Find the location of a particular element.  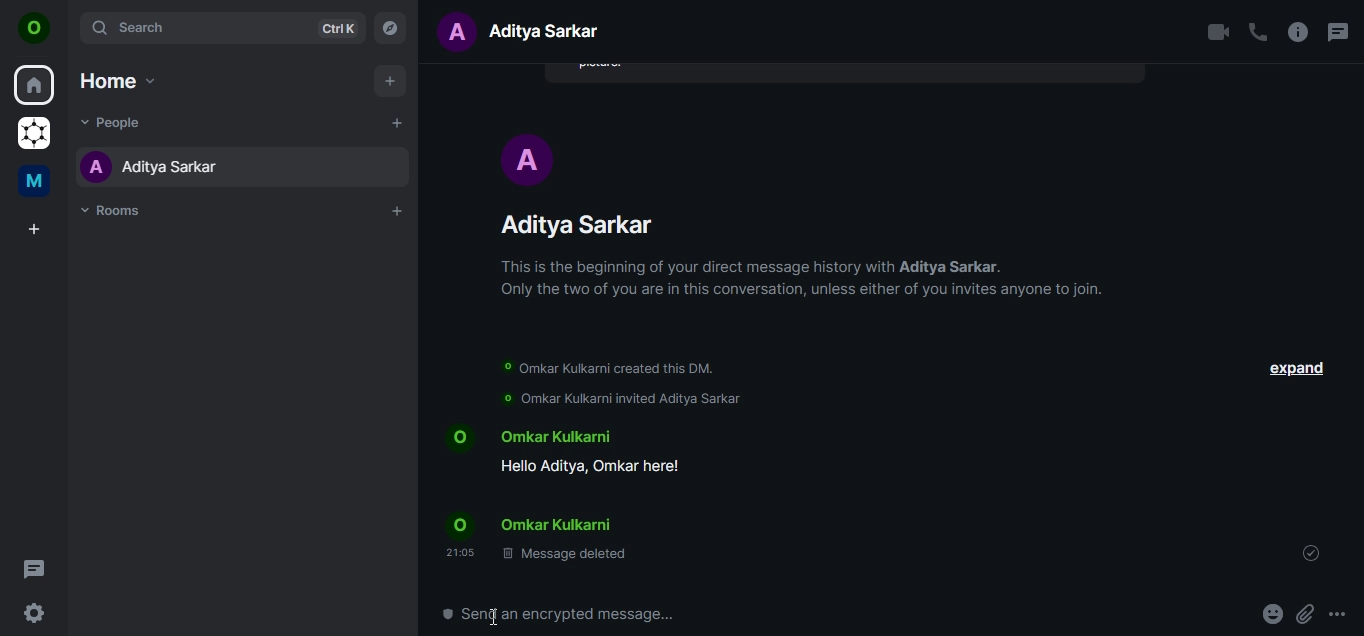

name is located at coordinates (191, 164).